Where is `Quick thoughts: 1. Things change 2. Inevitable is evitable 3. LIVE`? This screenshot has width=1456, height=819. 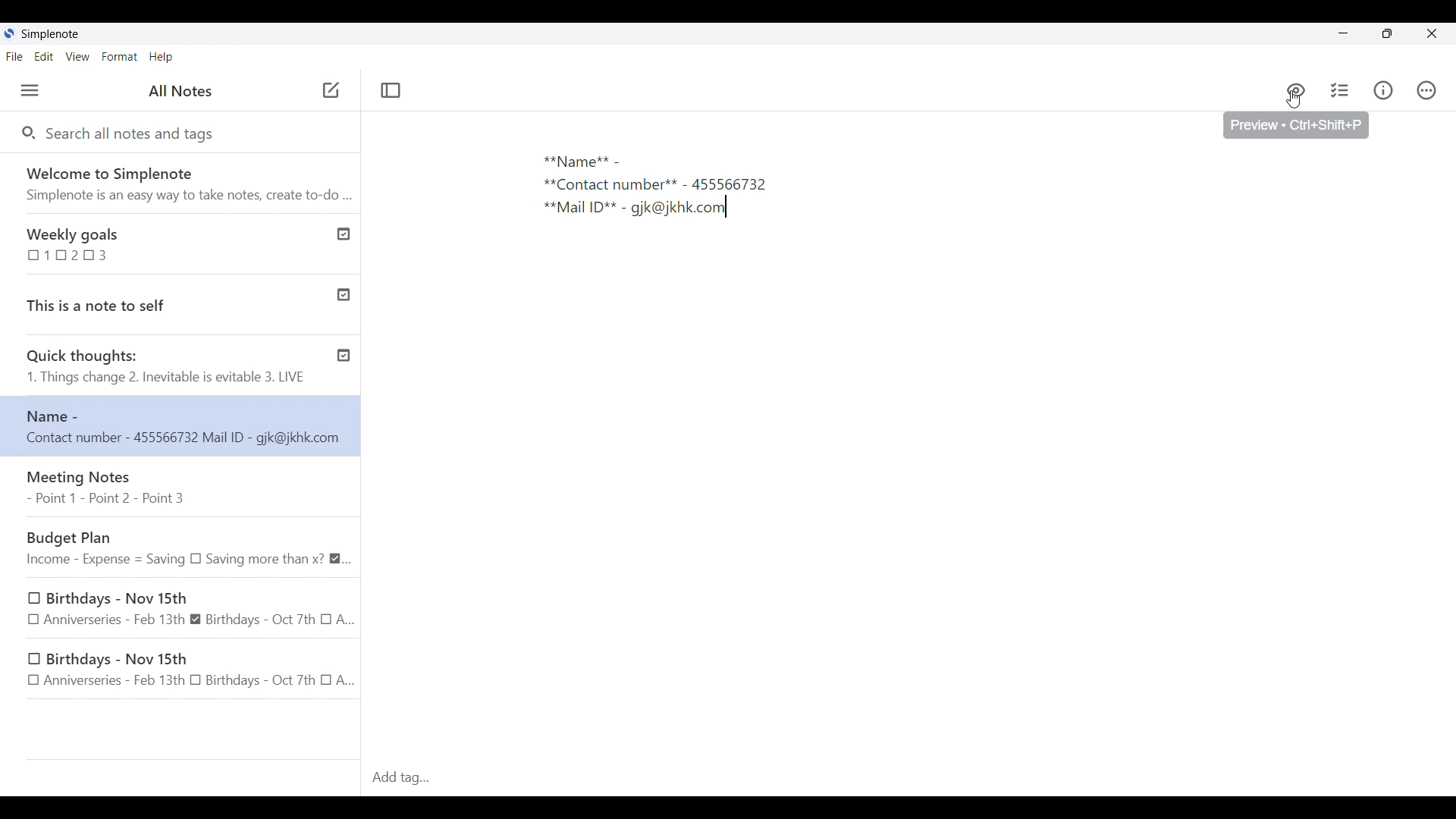
Quick thoughts: 1. Things change 2. Inevitable is evitable 3. LIVE is located at coordinates (165, 368).